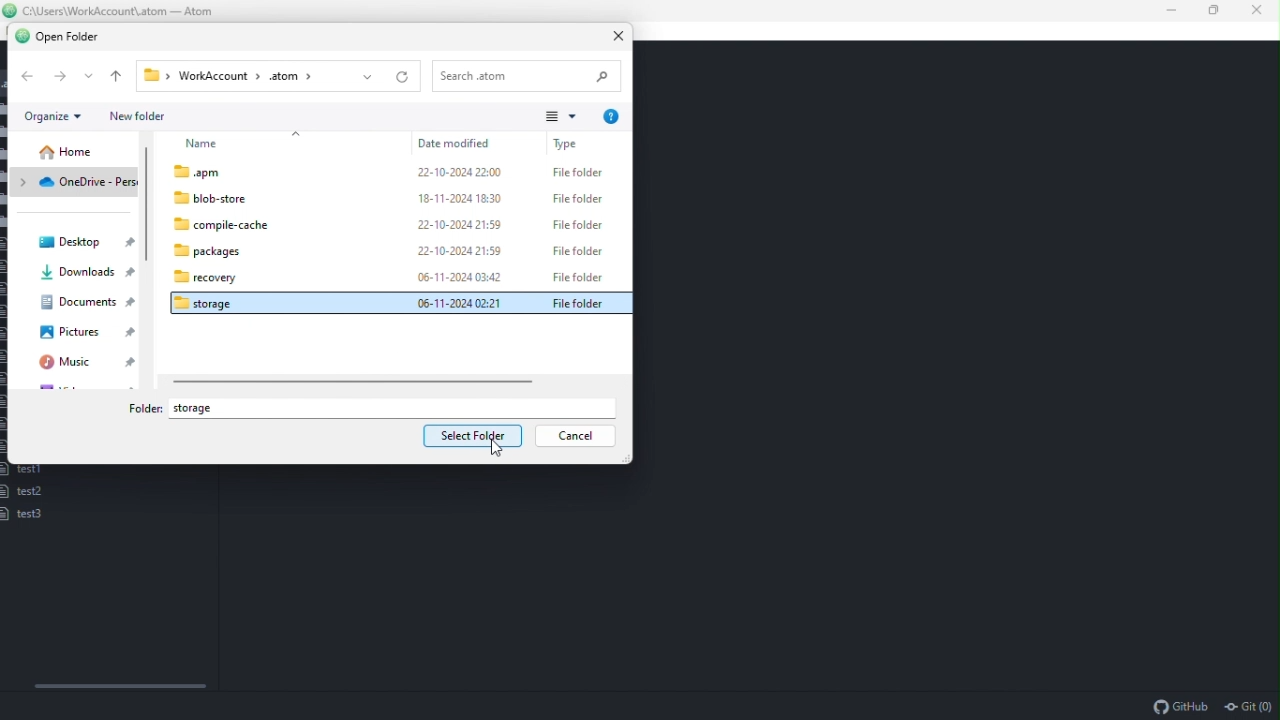 The height and width of the screenshot is (720, 1280). What do you see at coordinates (119, 76) in the screenshot?
I see `Up one level` at bounding box center [119, 76].